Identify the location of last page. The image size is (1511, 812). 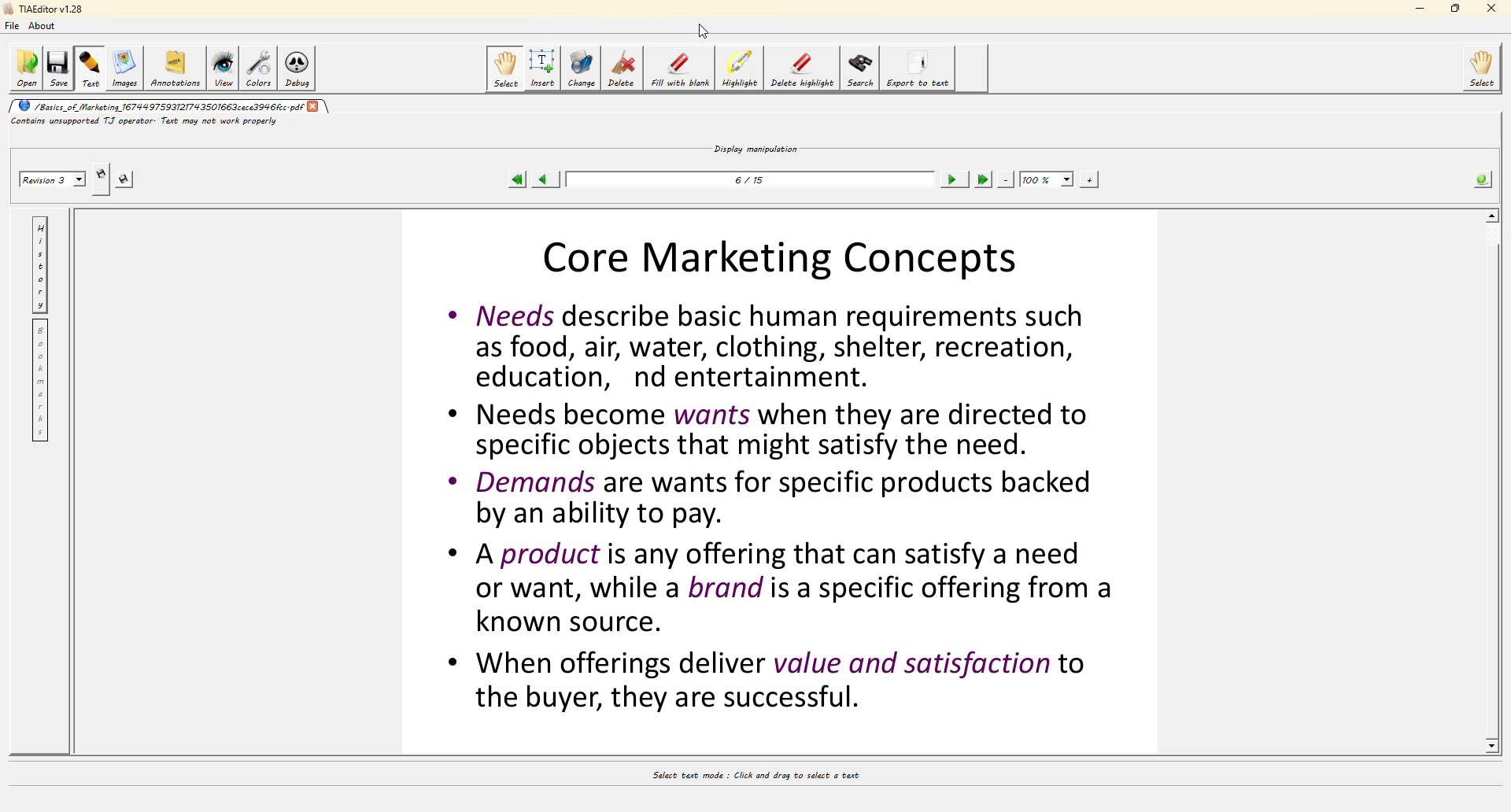
(984, 179).